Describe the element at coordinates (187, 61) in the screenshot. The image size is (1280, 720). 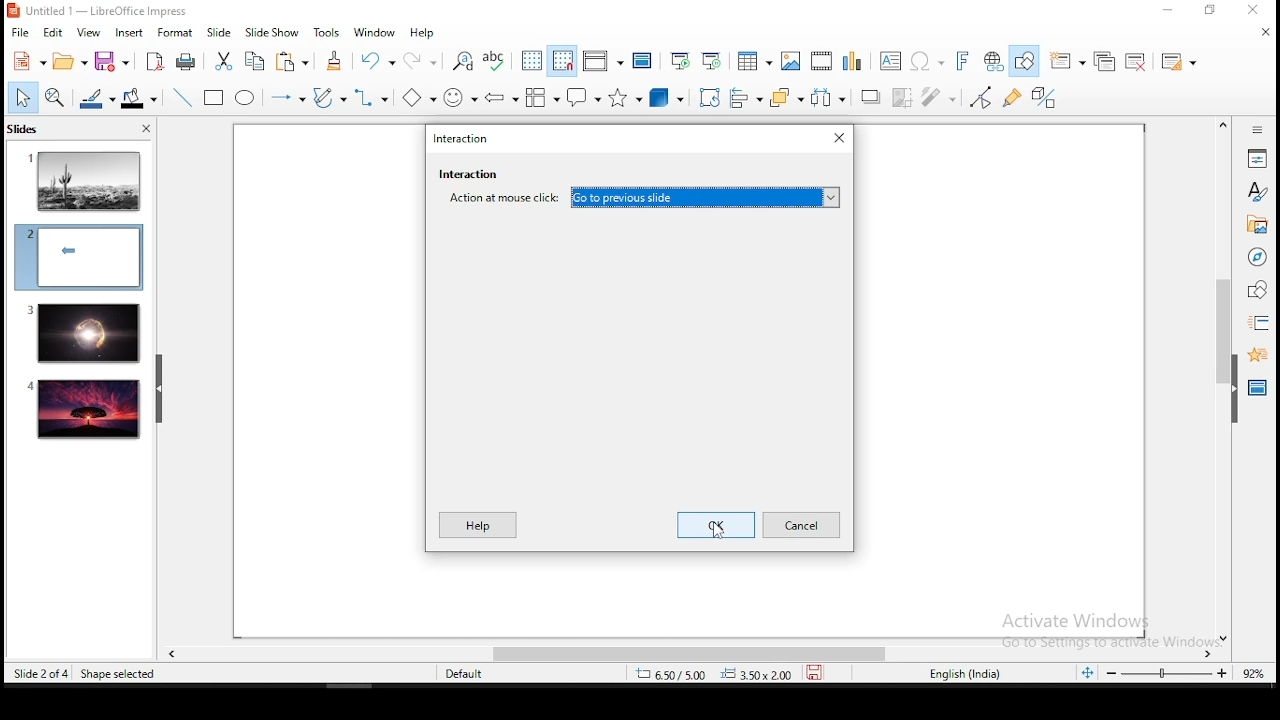
I see `print` at that location.